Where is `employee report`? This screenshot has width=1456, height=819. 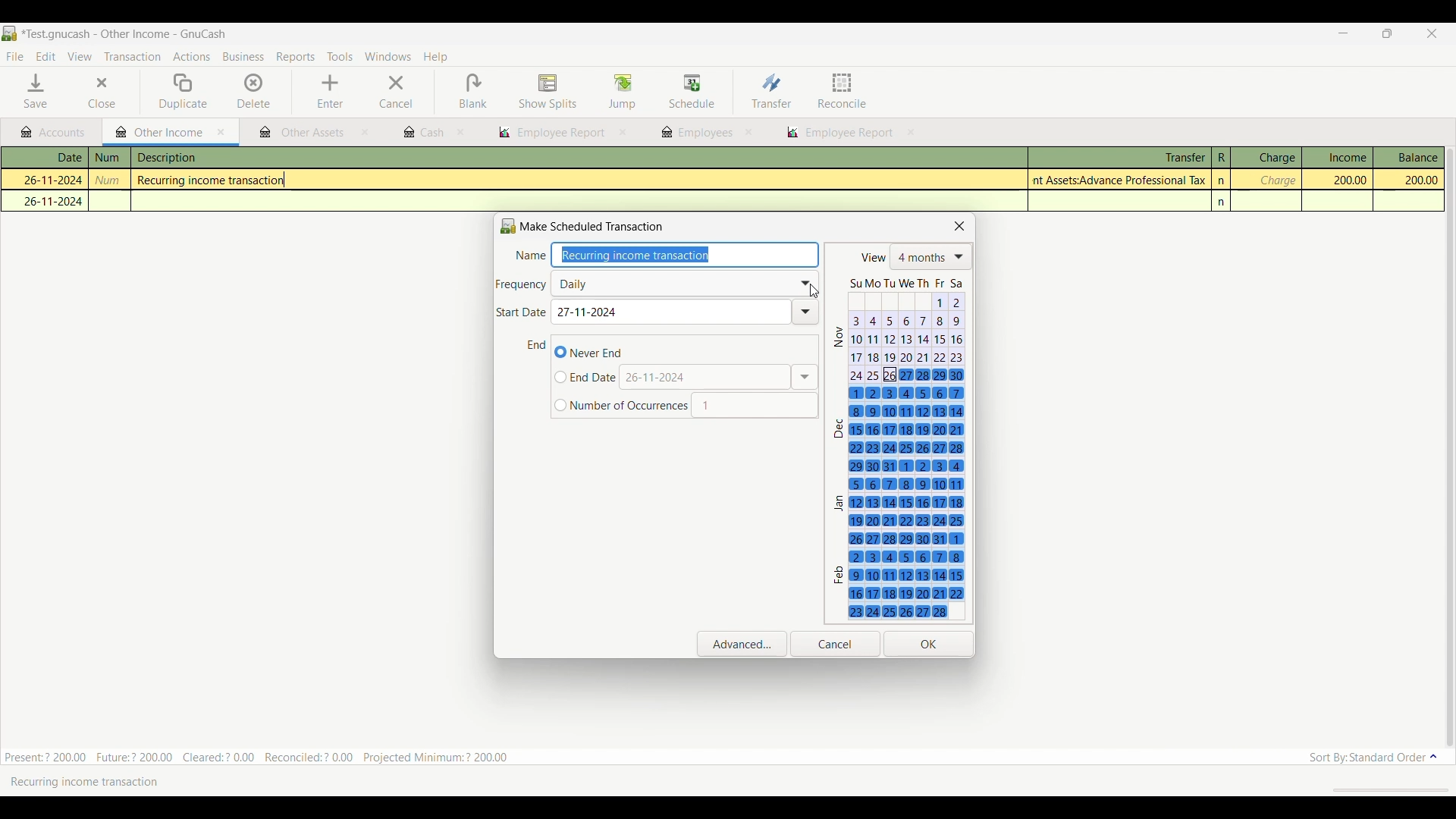 employee report is located at coordinates (551, 133).